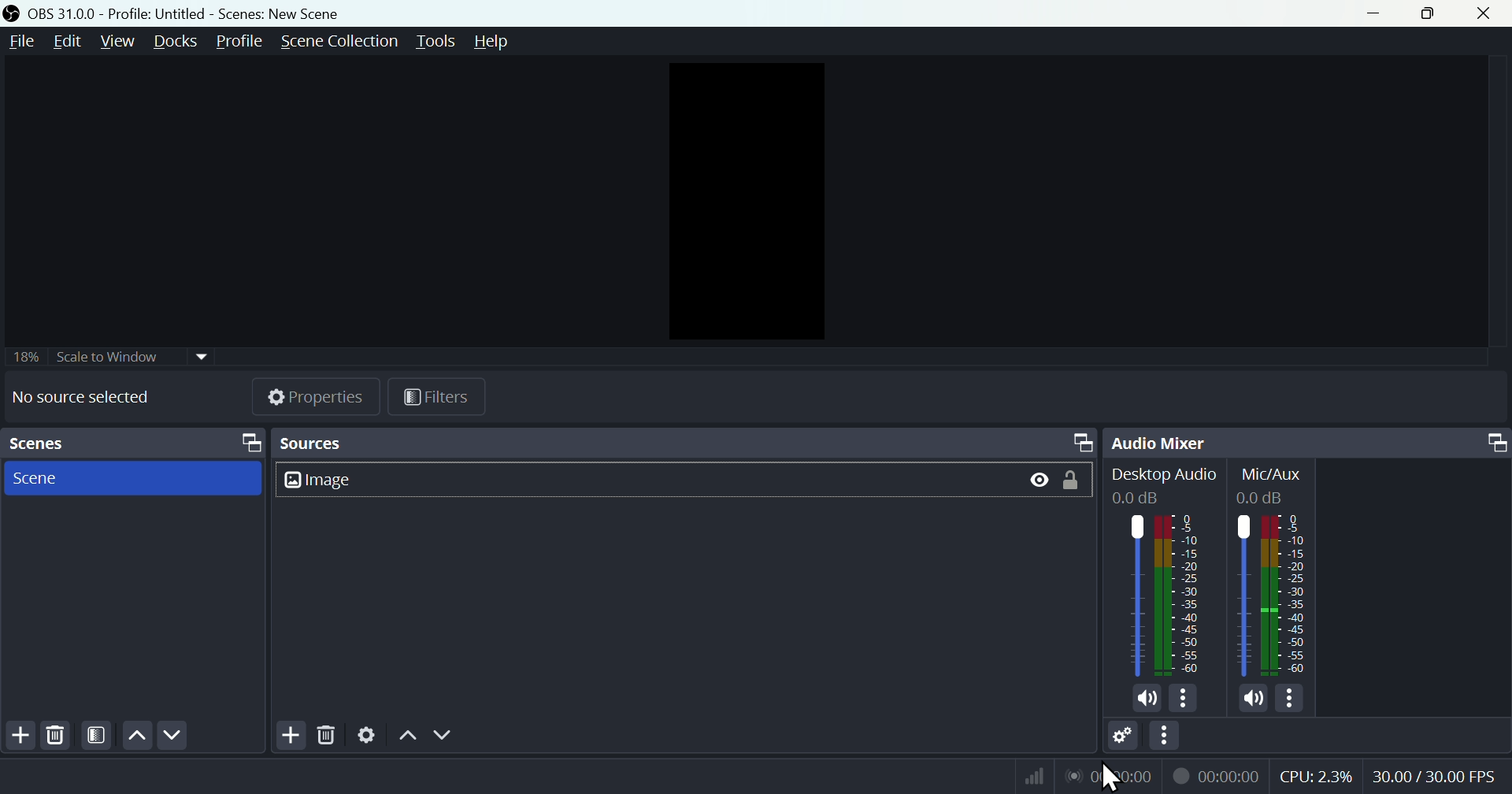 The width and height of the screenshot is (1512, 794). What do you see at coordinates (1380, 13) in the screenshot?
I see `minimise` at bounding box center [1380, 13].